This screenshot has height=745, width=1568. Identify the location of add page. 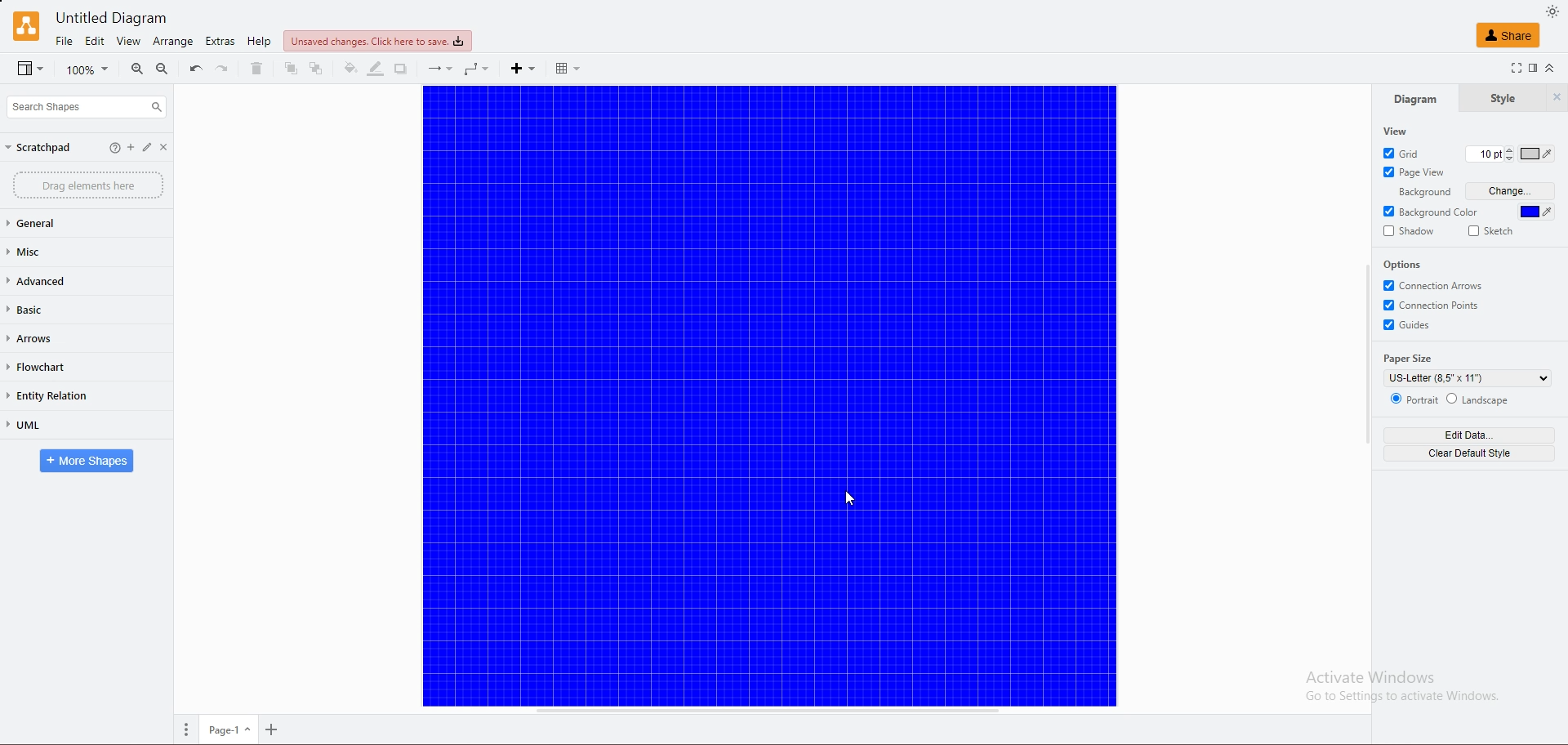
(275, 731).